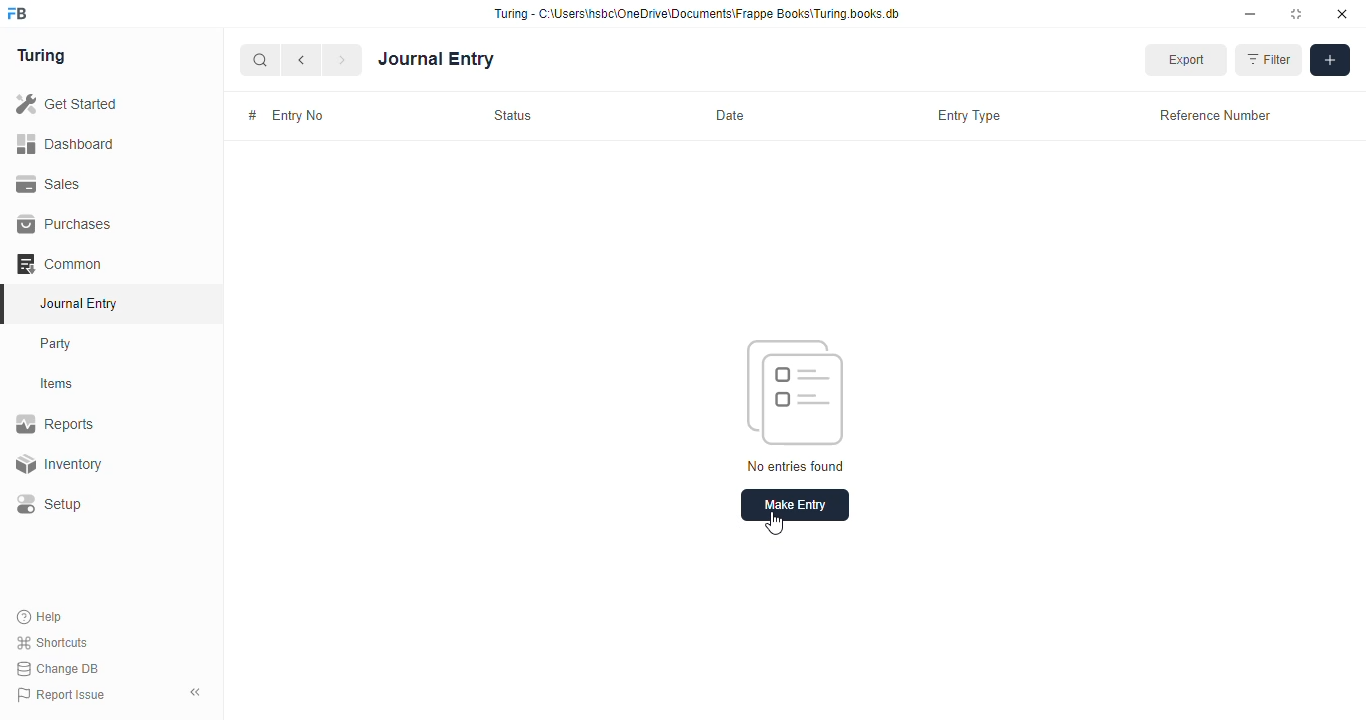 This screenshot has height=720, width=1366. Describe the element at coordinates (1185, 60) in the screenshot. I see `export` at that location.